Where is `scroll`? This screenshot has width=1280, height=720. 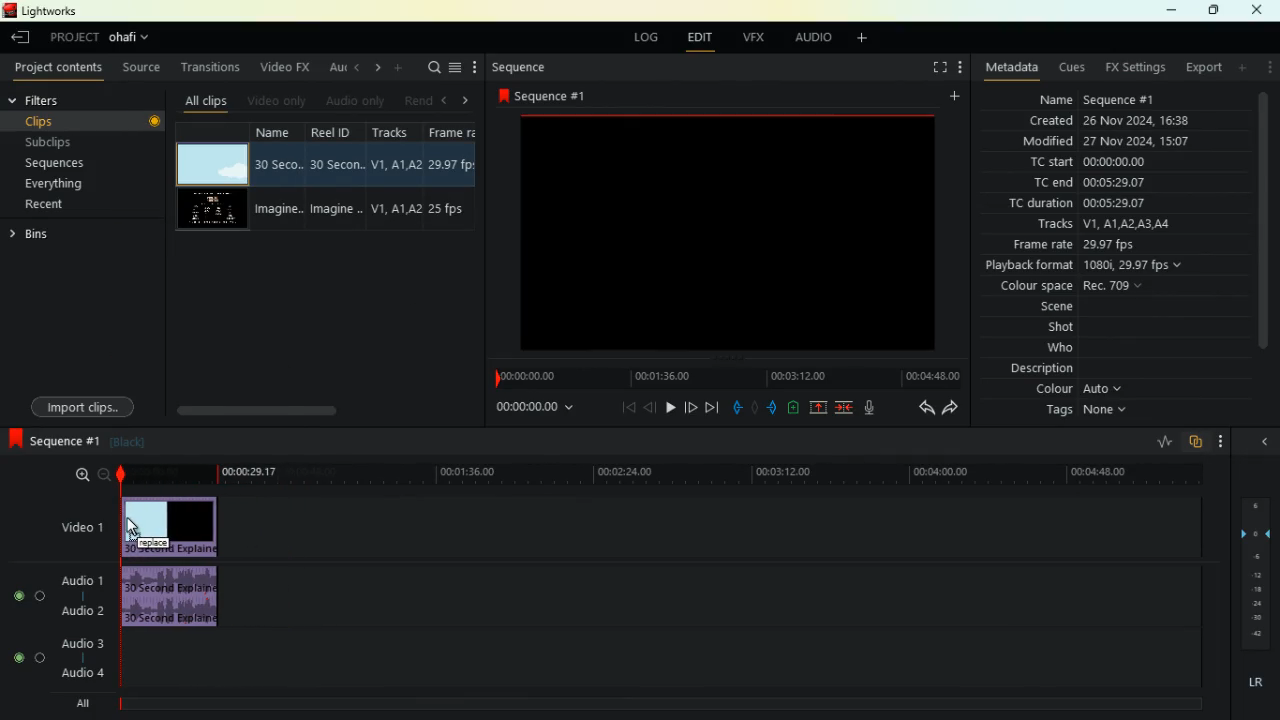 scroll is located at coordinates (305, 410).